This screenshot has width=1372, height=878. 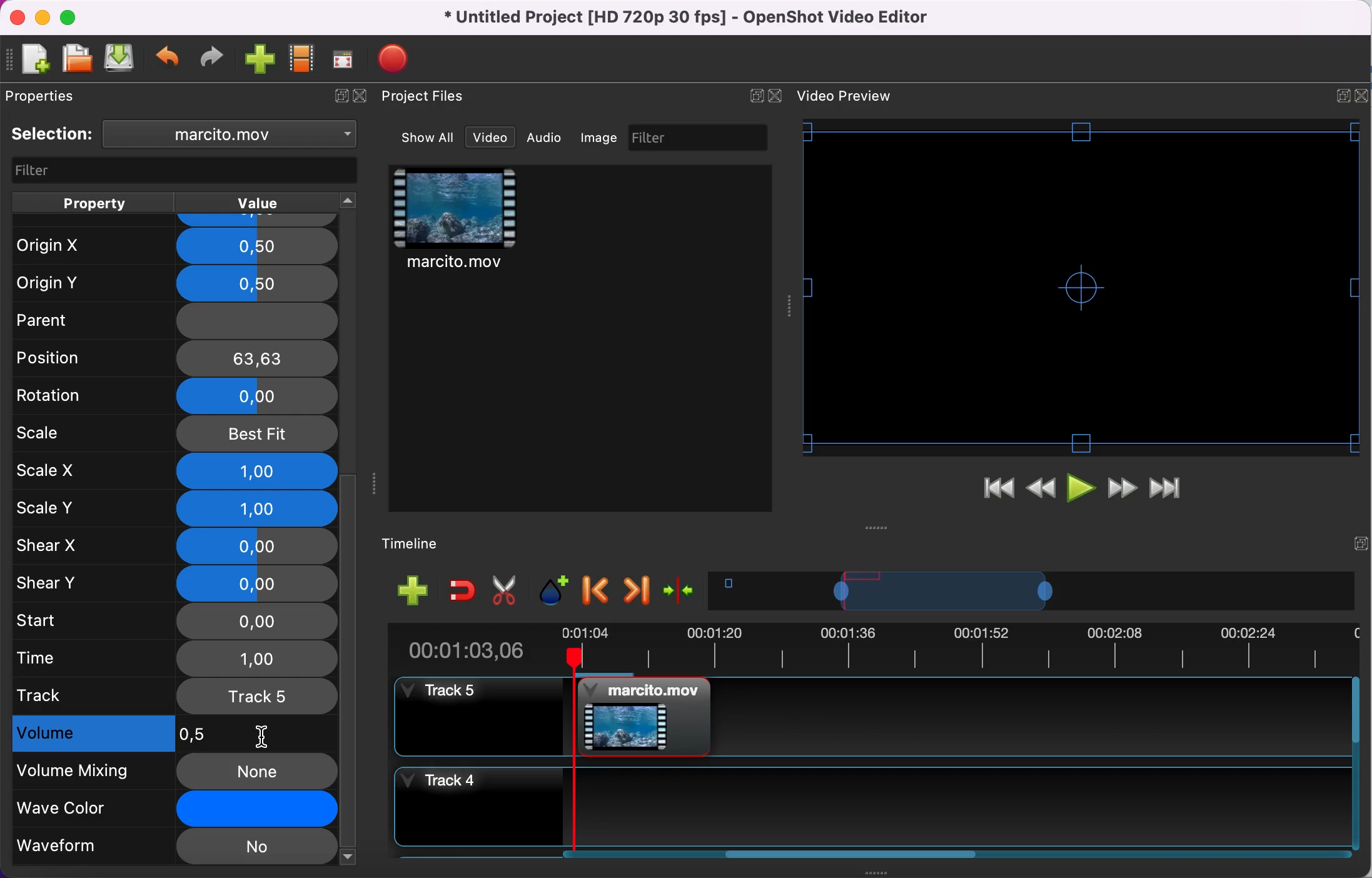 I want to click on Vertical slide bar, so click(x=1356, y=763).